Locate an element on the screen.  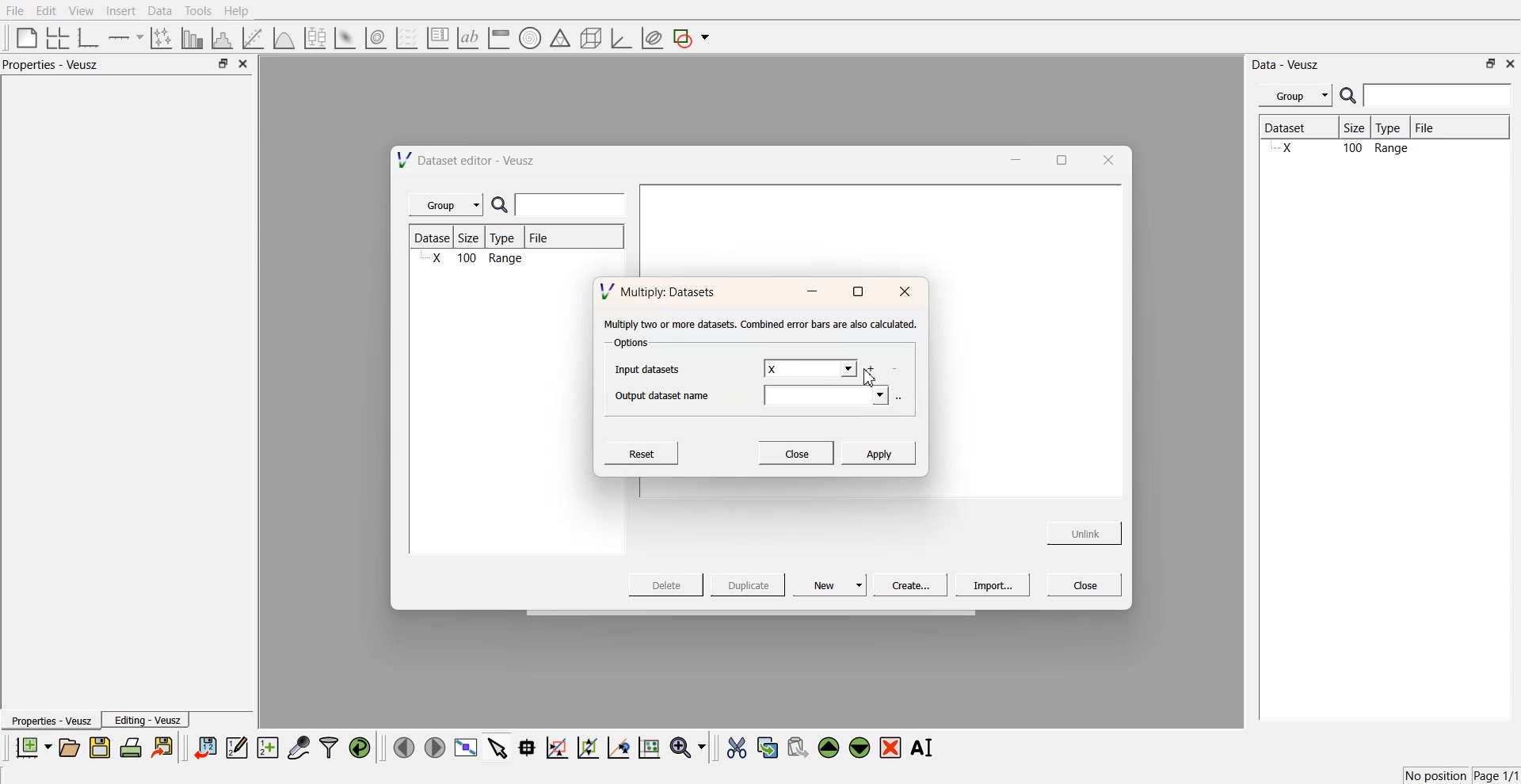
image color bar is located at coordinates (498, 39).